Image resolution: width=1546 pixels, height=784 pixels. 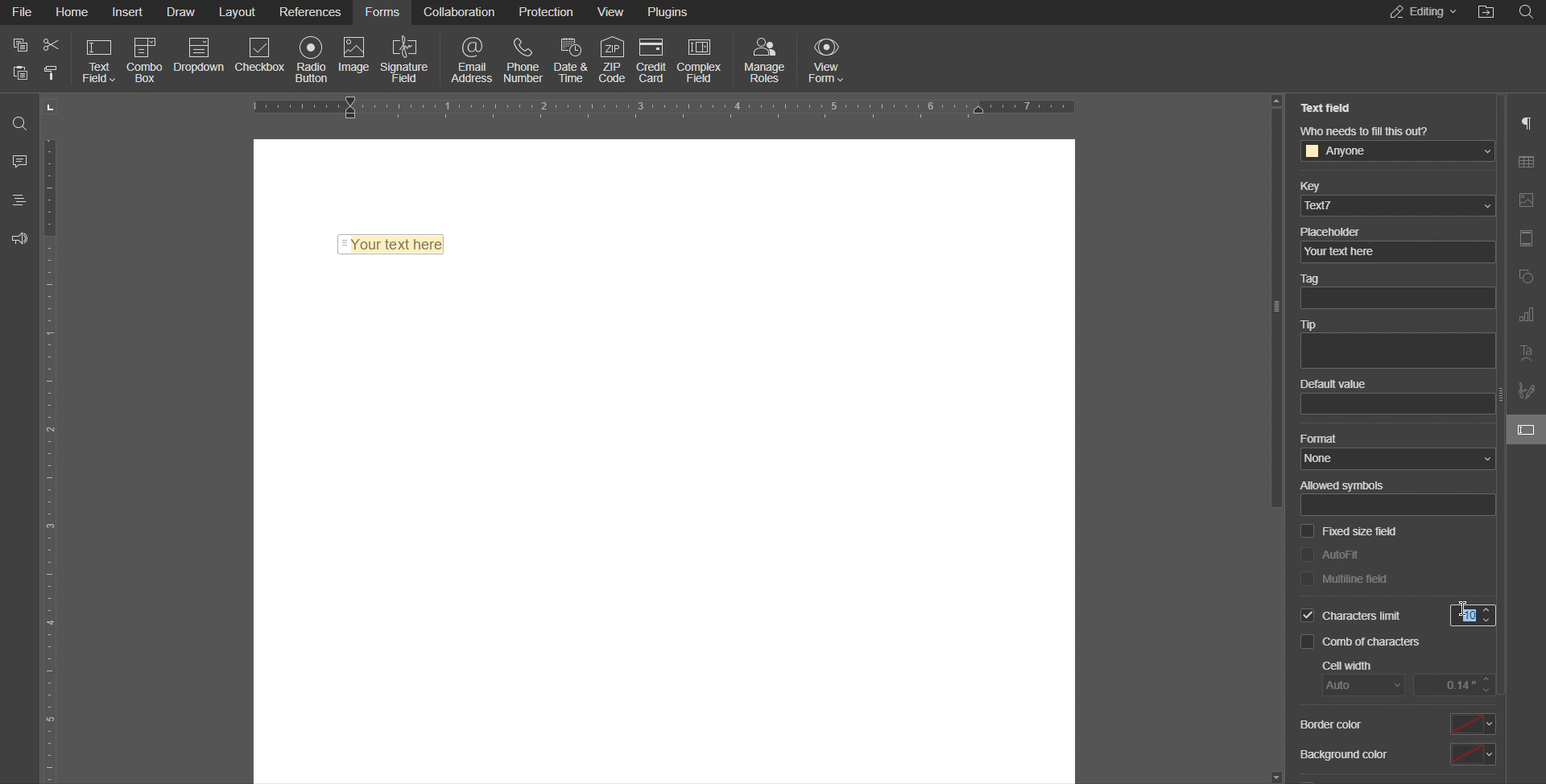 I want to click on Feedback and Support, so click(x=19, y=238).